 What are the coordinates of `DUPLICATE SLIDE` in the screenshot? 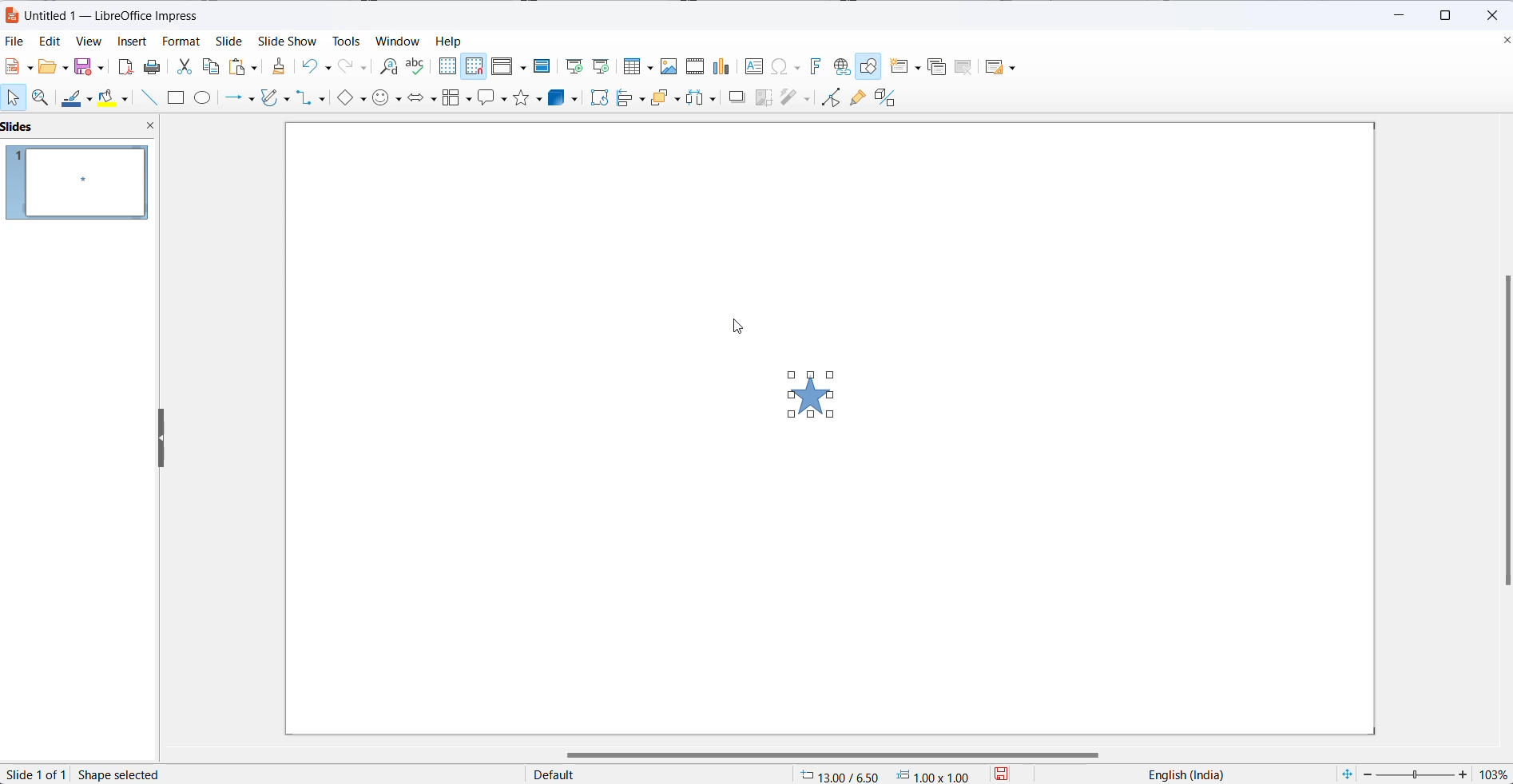 It's located at (937, 69).